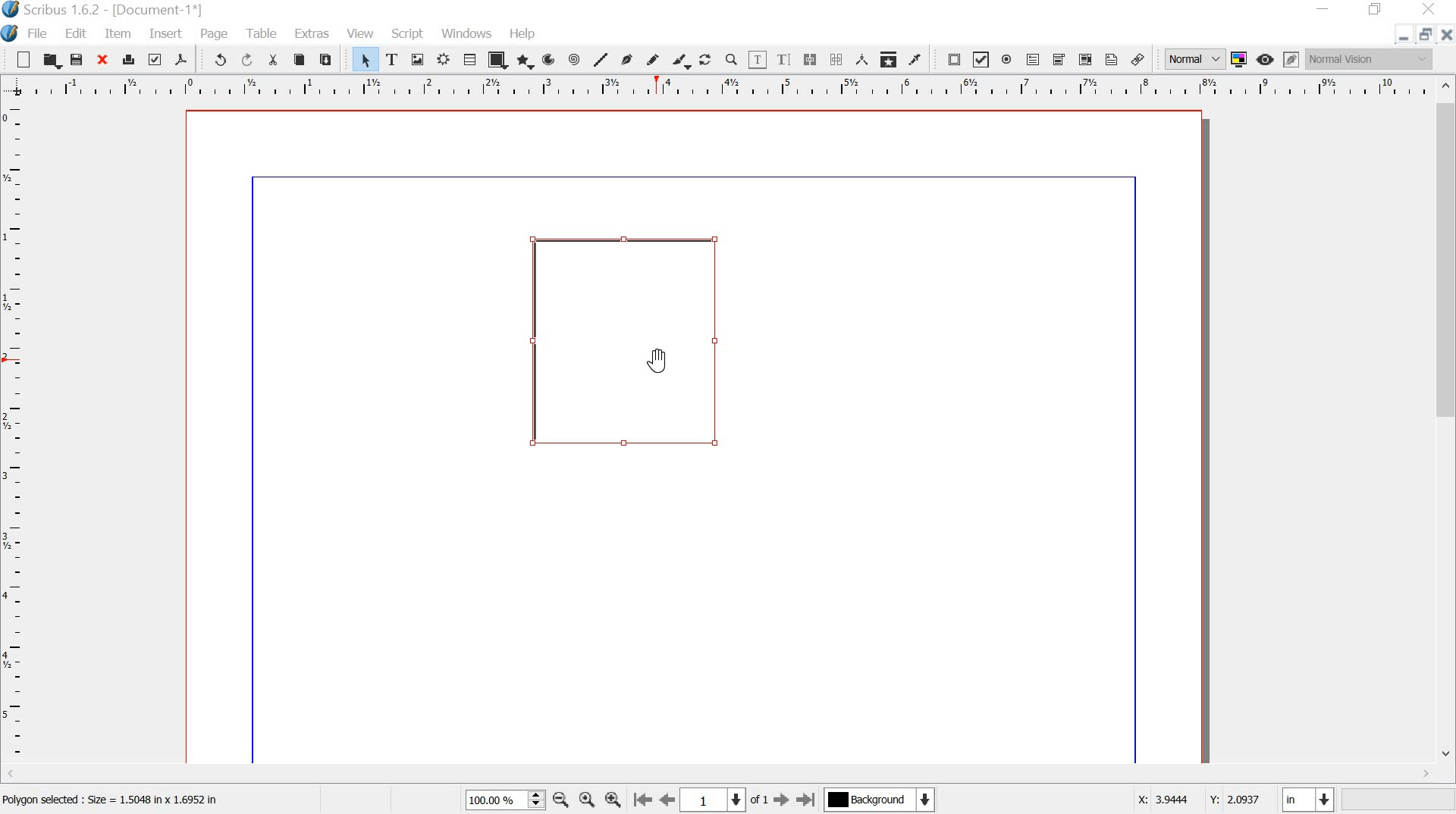 This screenshot has width=1456, height=814. What do you see at coordinates (77, 60) in the screenshot?
I see `save` at bounding box center [77, 60].